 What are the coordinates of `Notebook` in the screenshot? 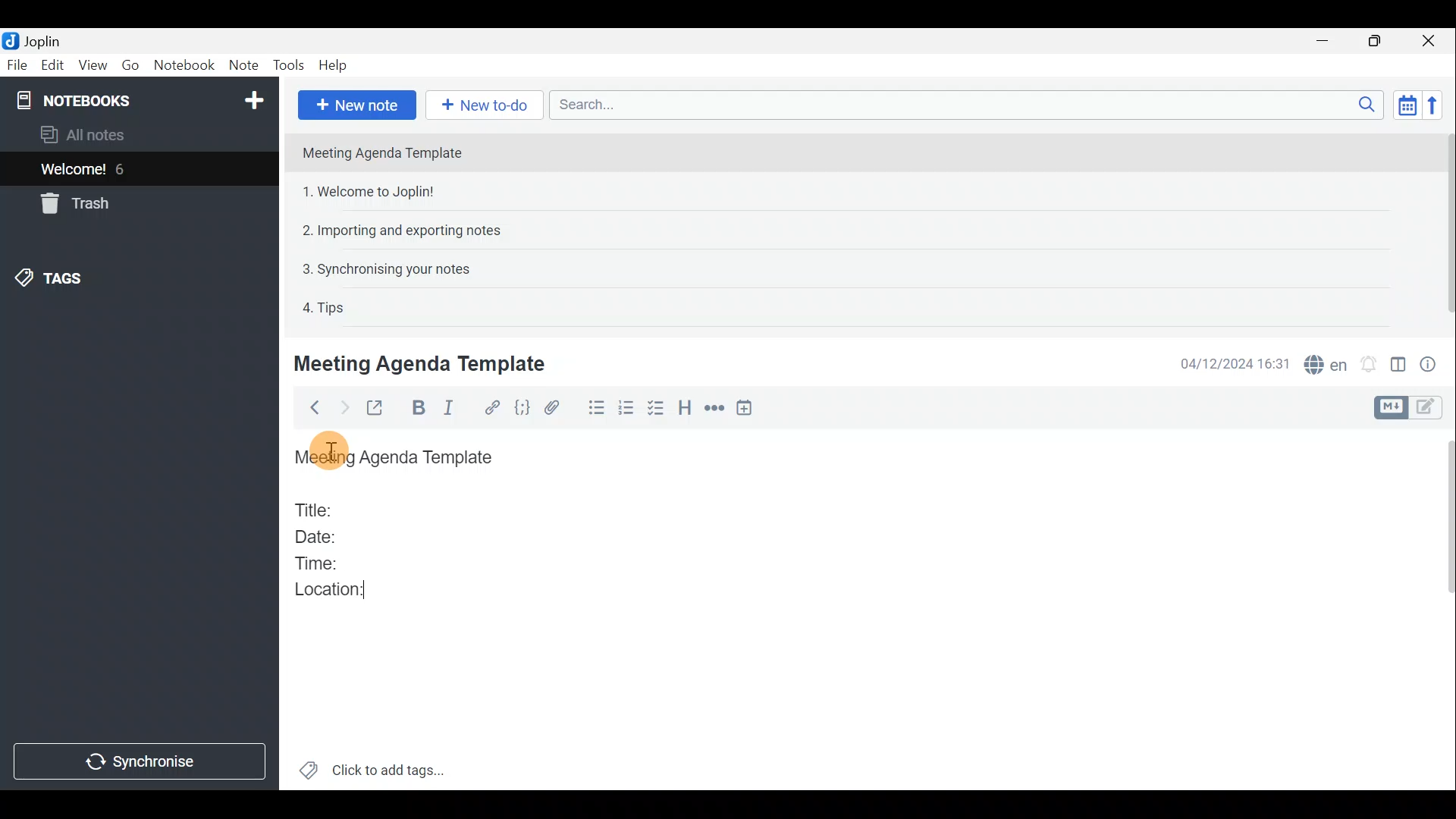 It's located at (183, 64).